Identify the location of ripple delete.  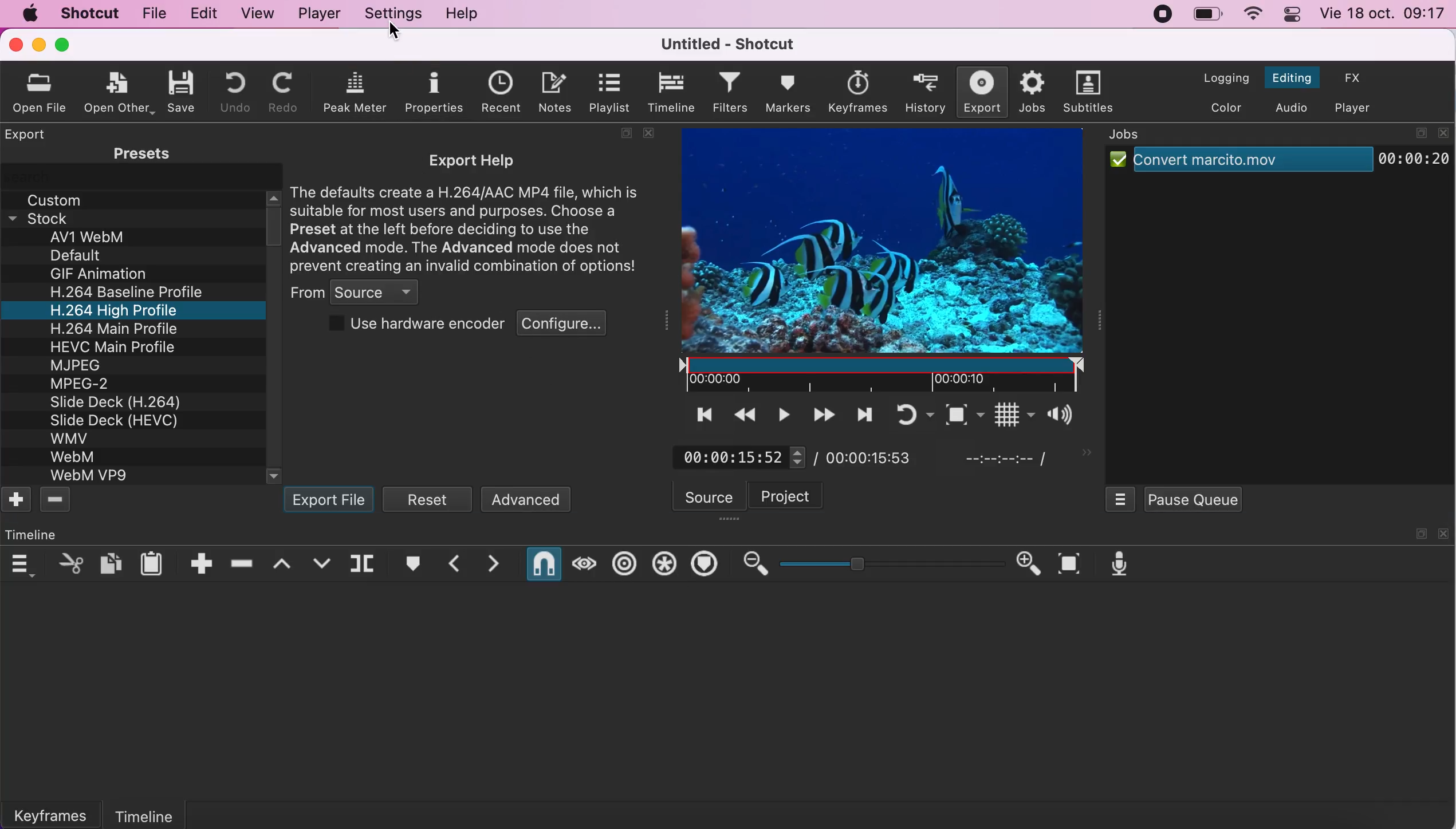
(244, 563).